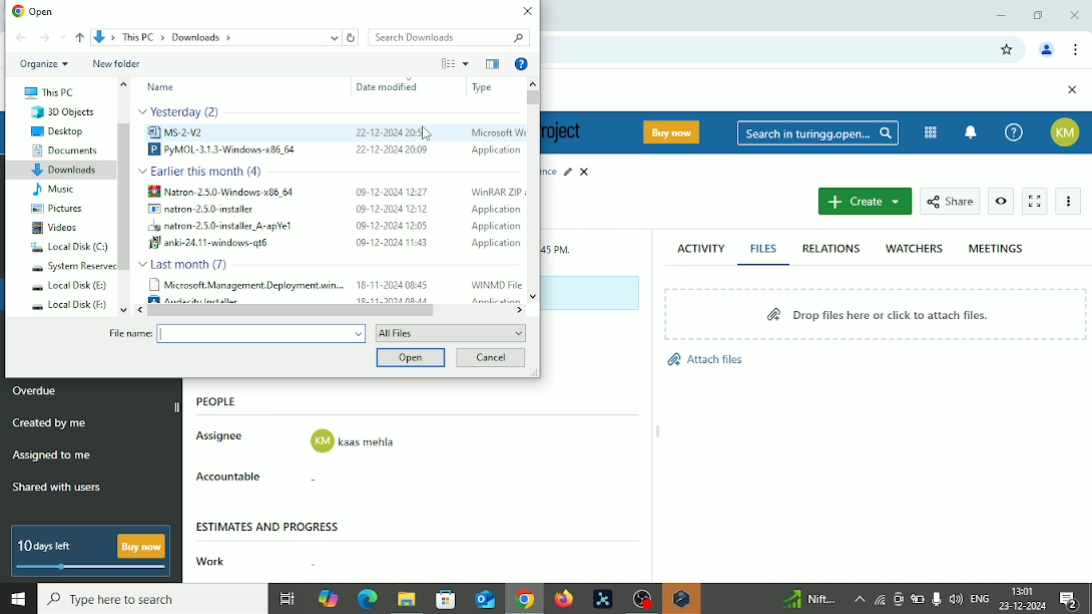  What do you see at coordinates (384, 86) in the screenshot?
I see `Date modified` at bounding box center [384, 86].